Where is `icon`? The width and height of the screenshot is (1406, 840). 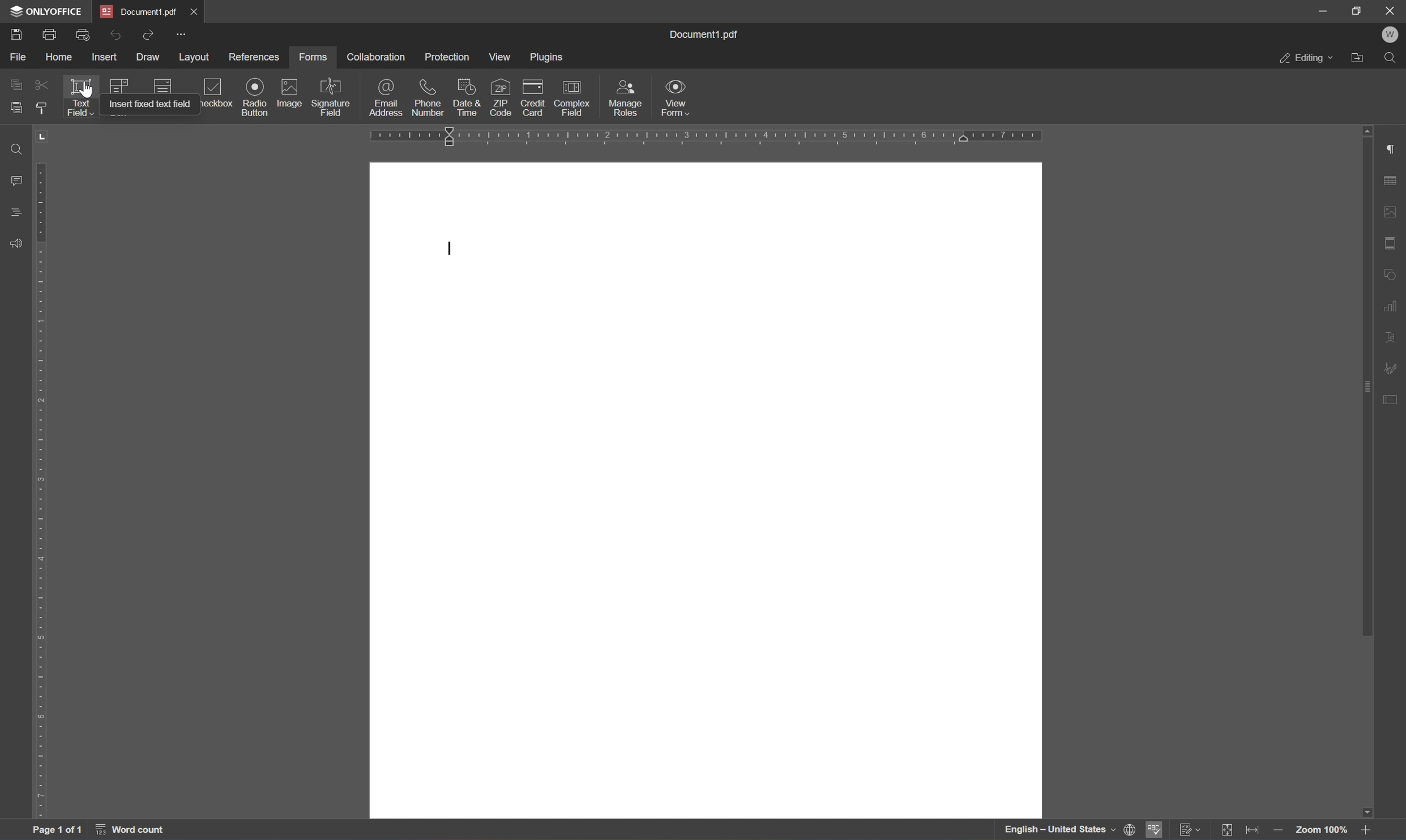
icon is located at coordinates (120, 84).